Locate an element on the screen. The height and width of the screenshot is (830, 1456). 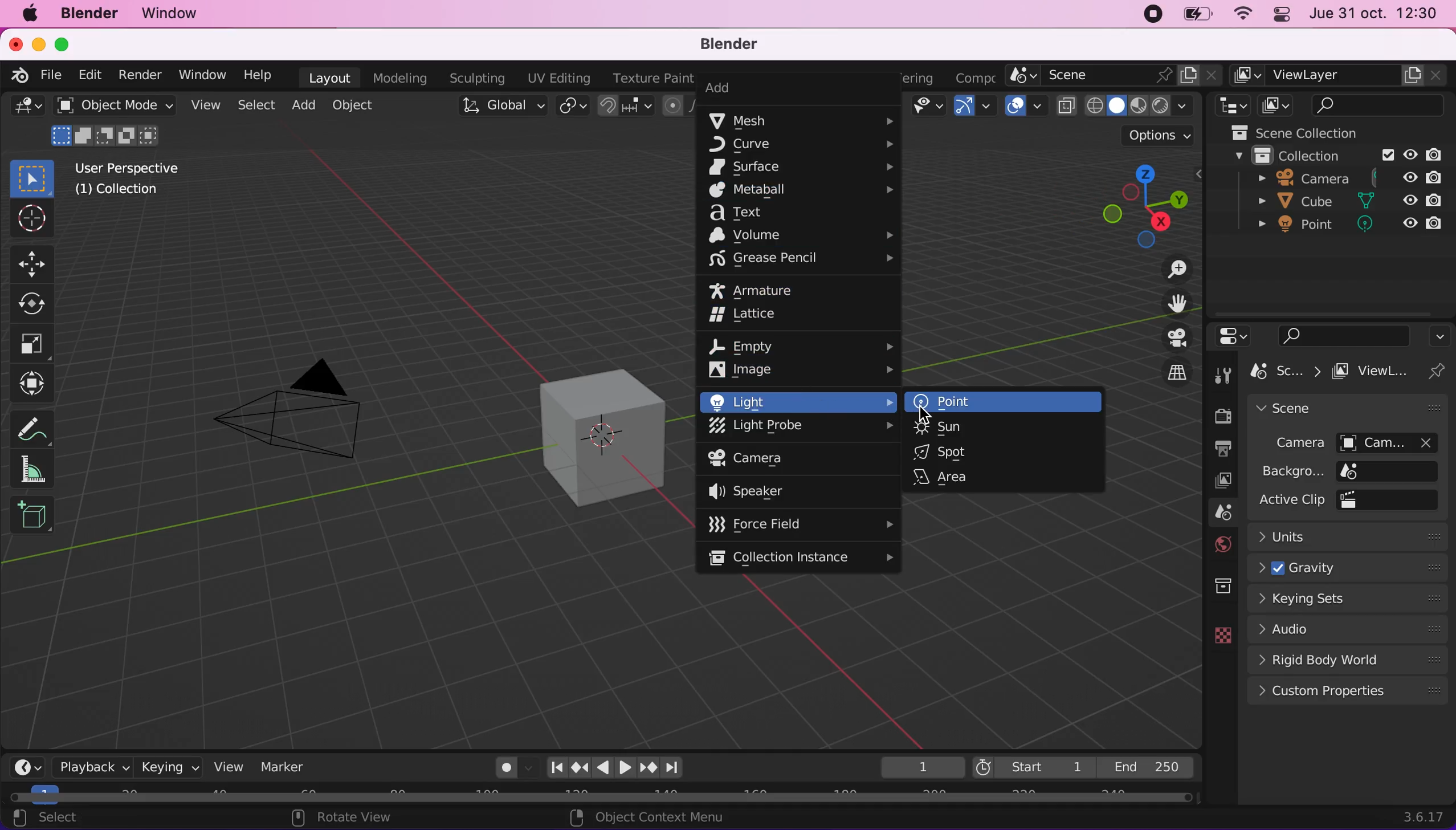
spot is located at coordinates (959, 451).